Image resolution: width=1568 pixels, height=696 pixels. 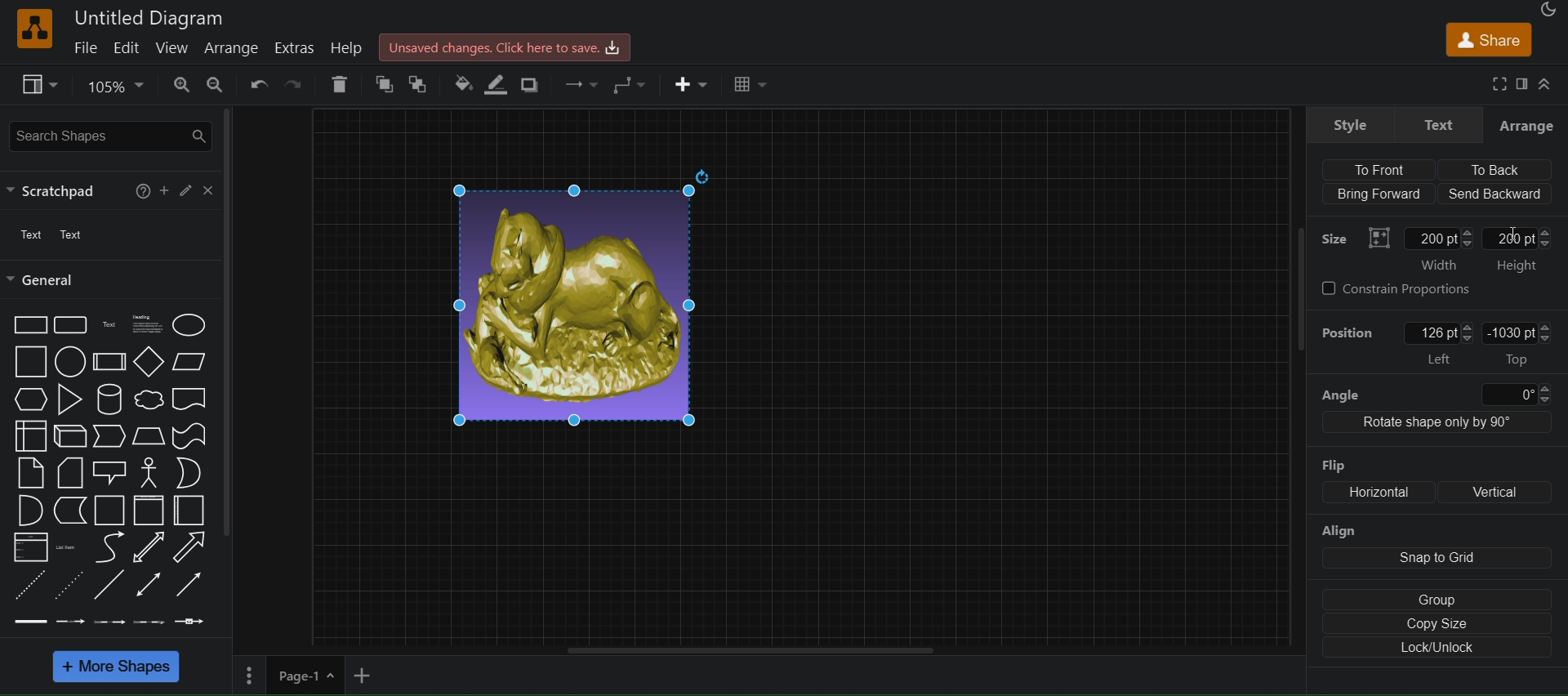 I want to click on -1030pt Top, so click(x=1520, y=344).